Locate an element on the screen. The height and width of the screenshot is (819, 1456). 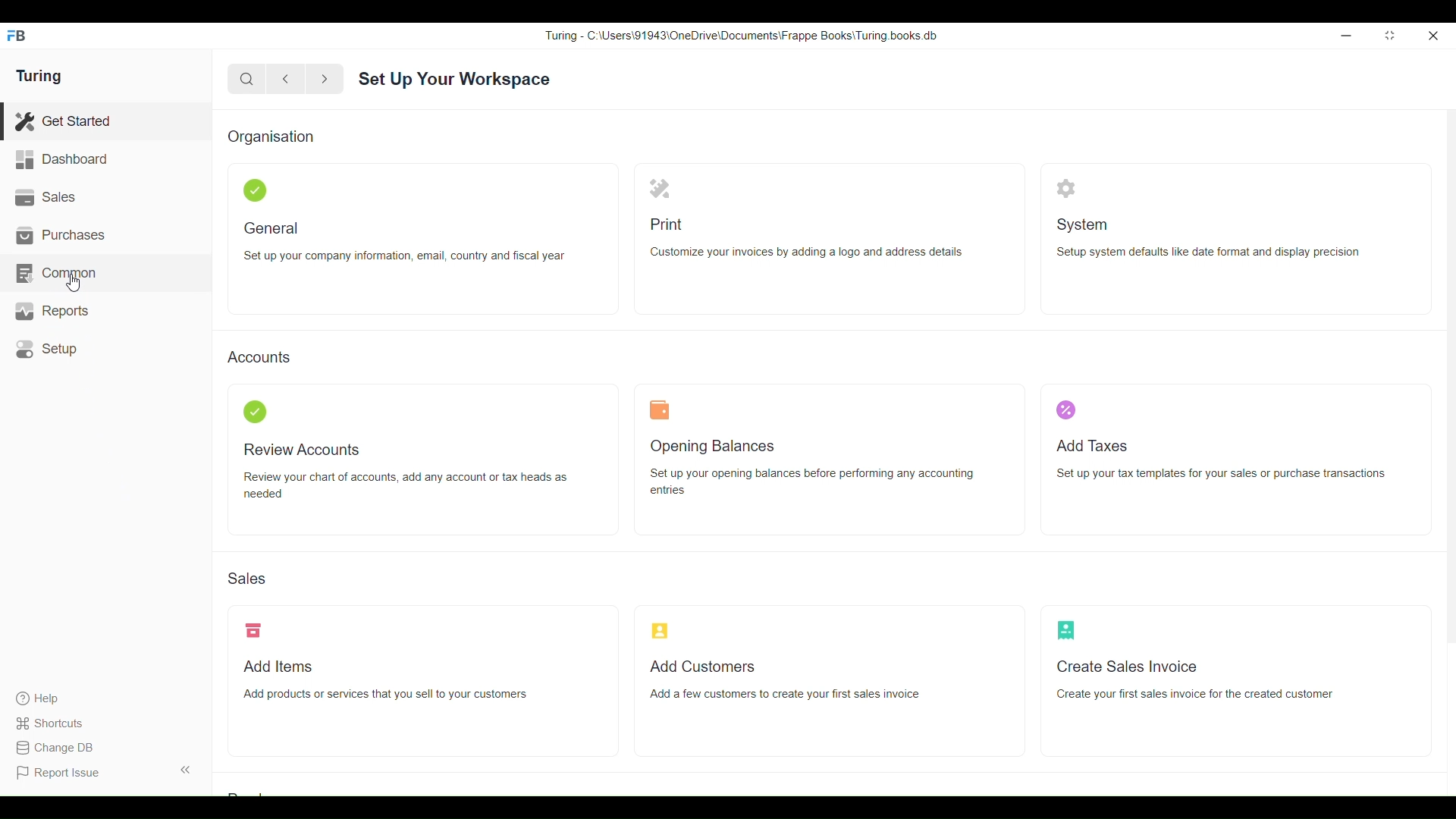
Minimize is located at coordinates (1347, 36).